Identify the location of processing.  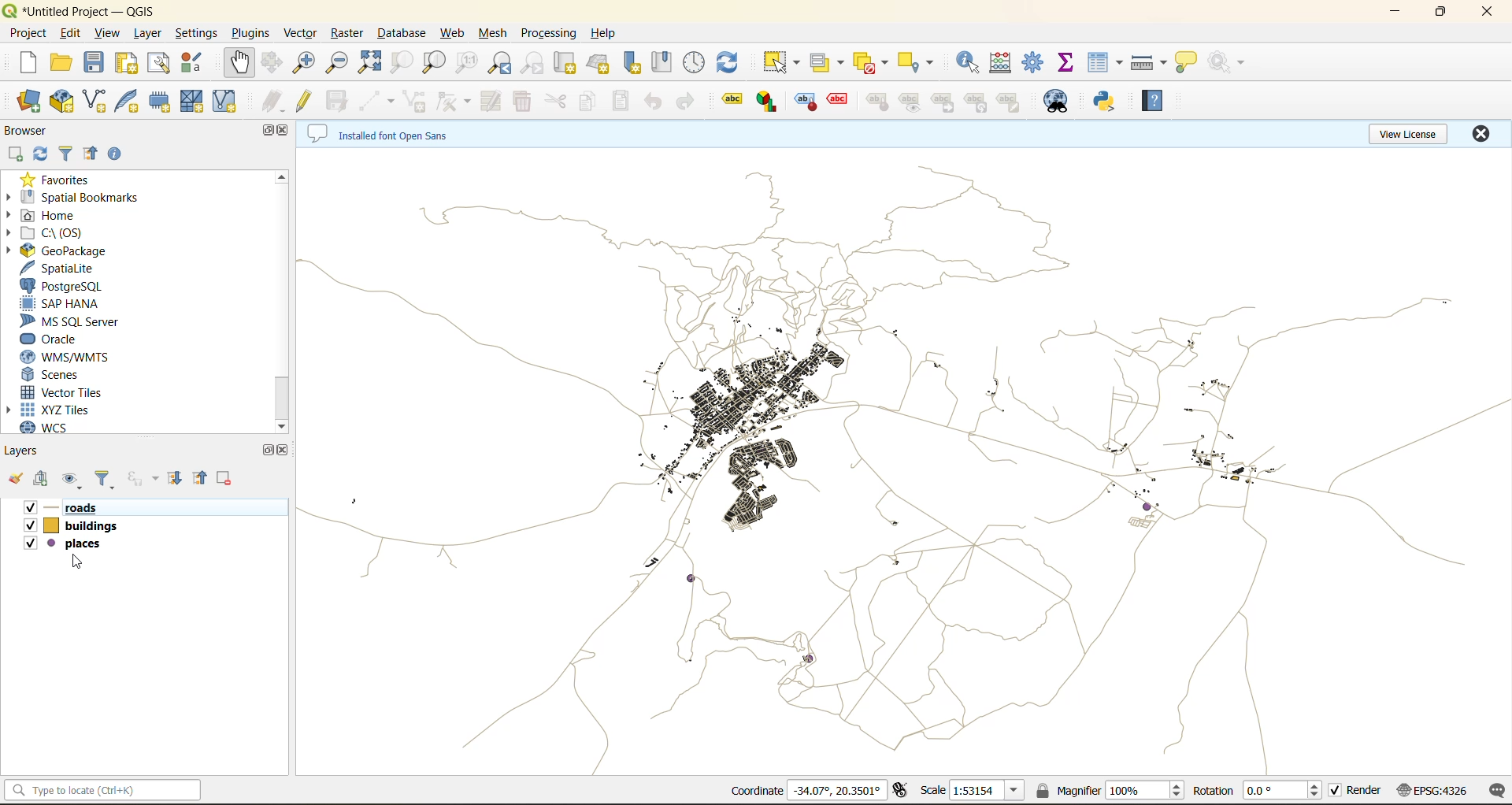
(550, 33).